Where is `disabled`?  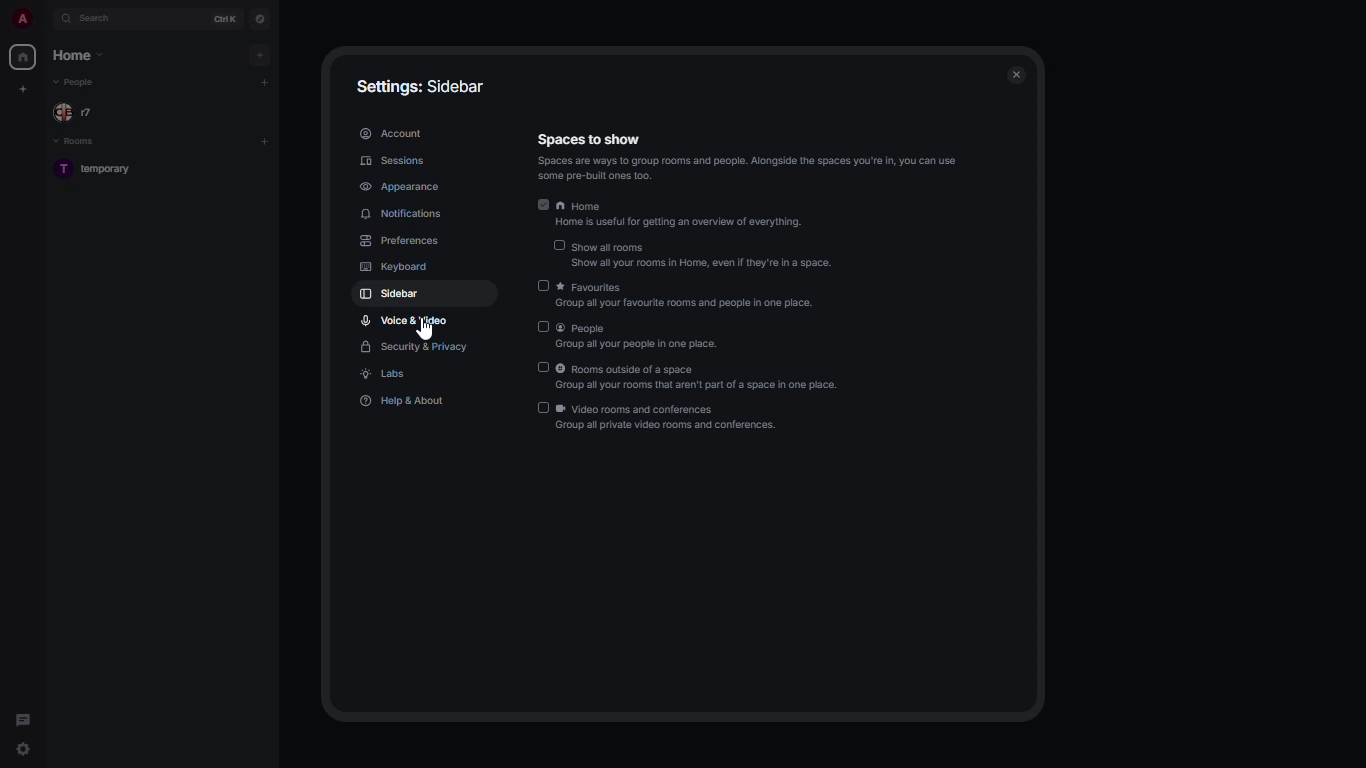
disabled is located at coordinates (545, 407).